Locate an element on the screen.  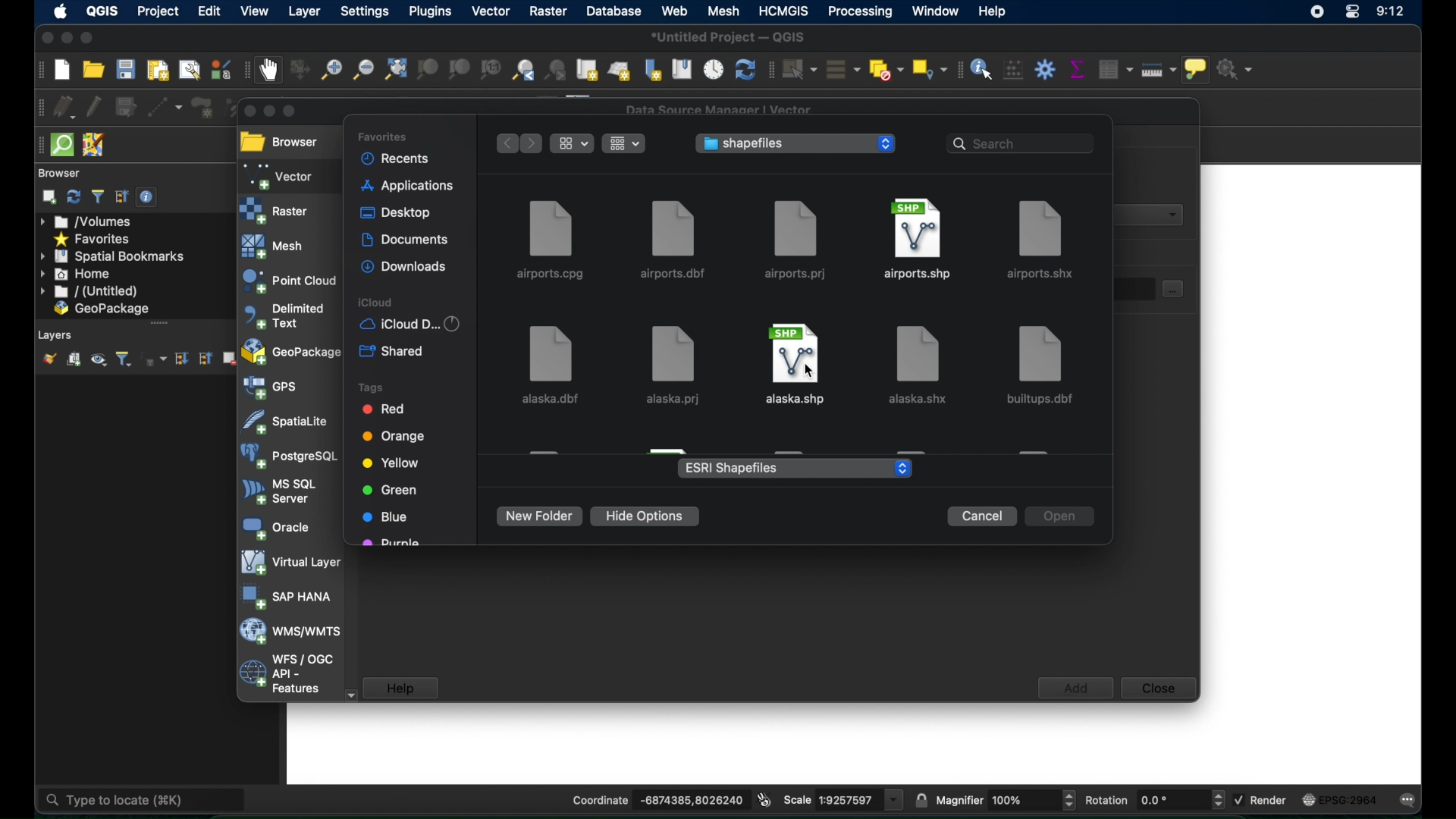
show map tops is located at coordinates (1199, 70).